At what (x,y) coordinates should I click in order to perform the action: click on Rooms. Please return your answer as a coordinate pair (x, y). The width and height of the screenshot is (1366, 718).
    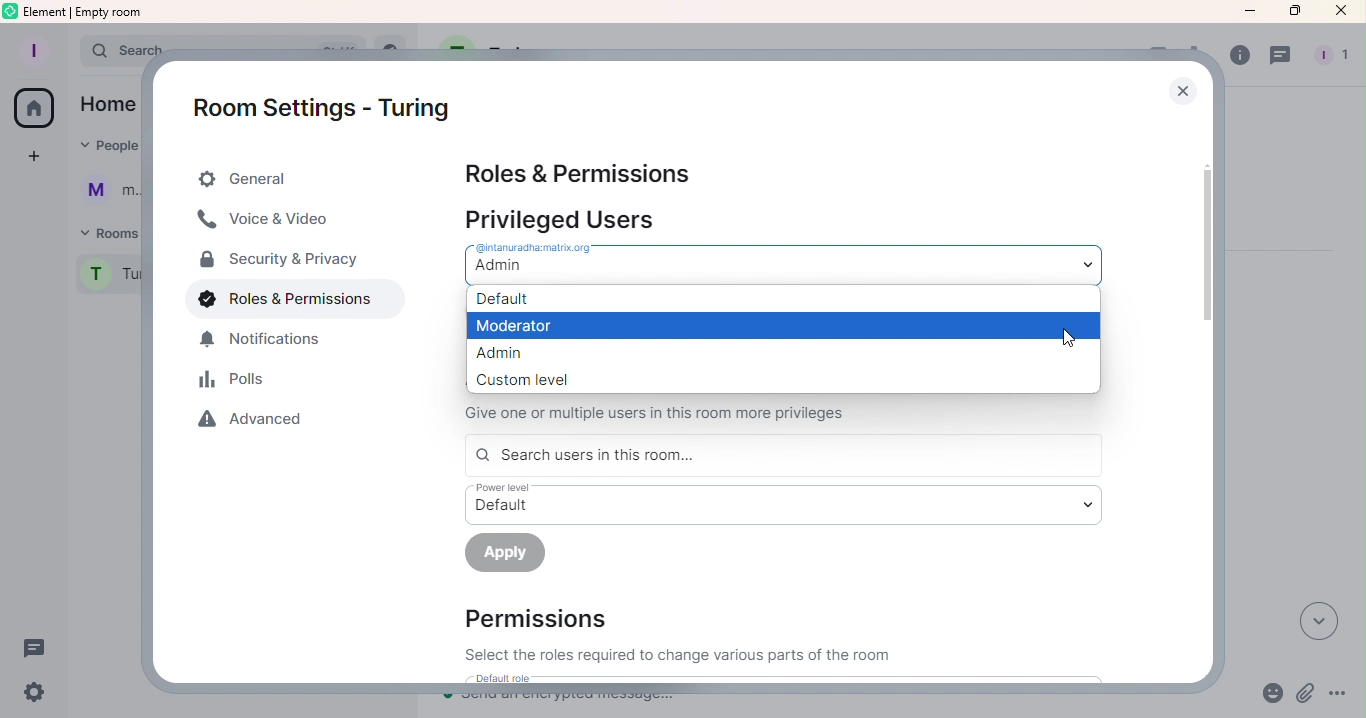
    Looking at the image, I should click on (107, 230).